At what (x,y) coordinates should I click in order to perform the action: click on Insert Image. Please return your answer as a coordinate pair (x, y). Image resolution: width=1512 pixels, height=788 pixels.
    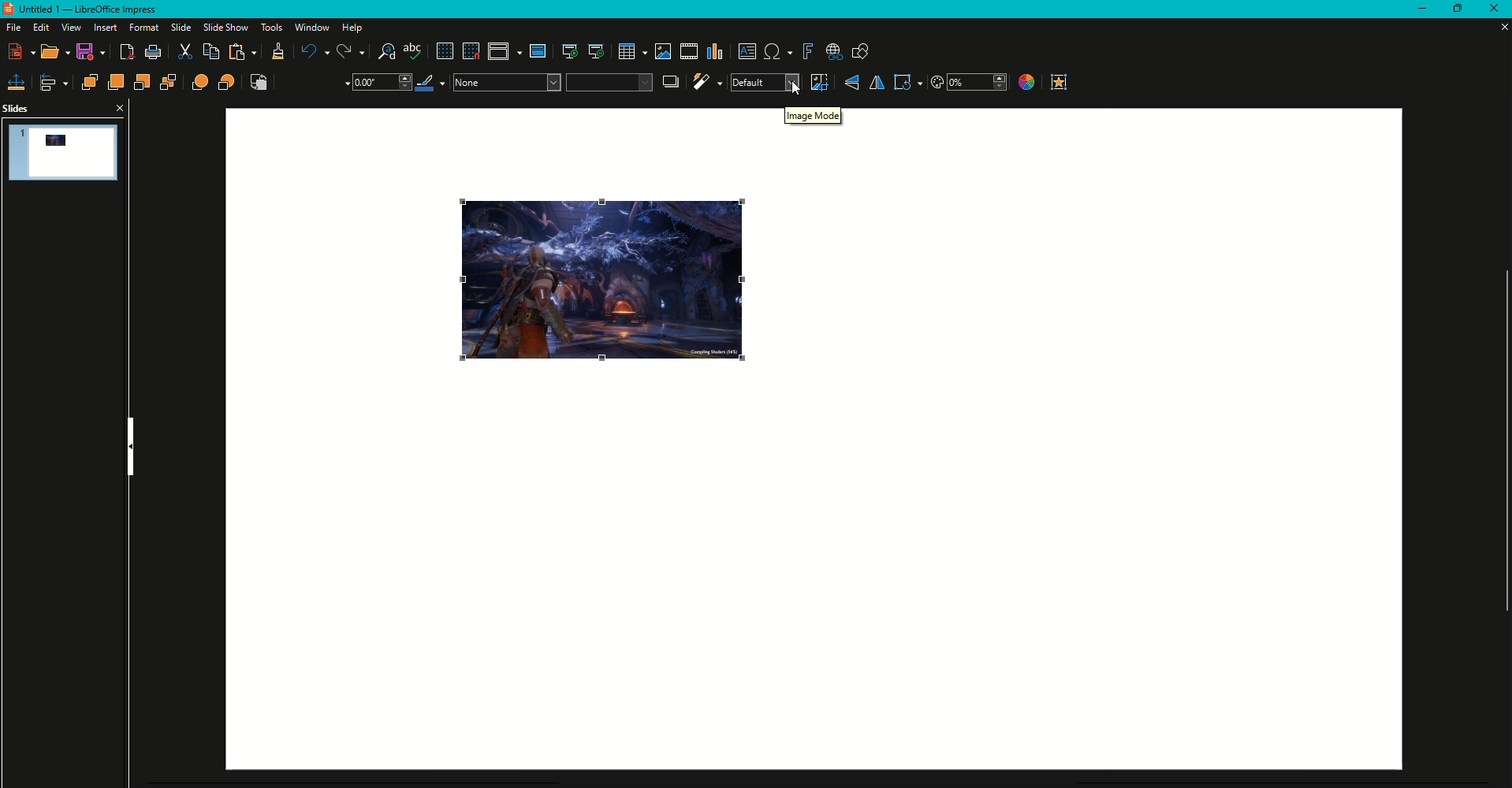
    Looking at the image, I should click on (661, 51).